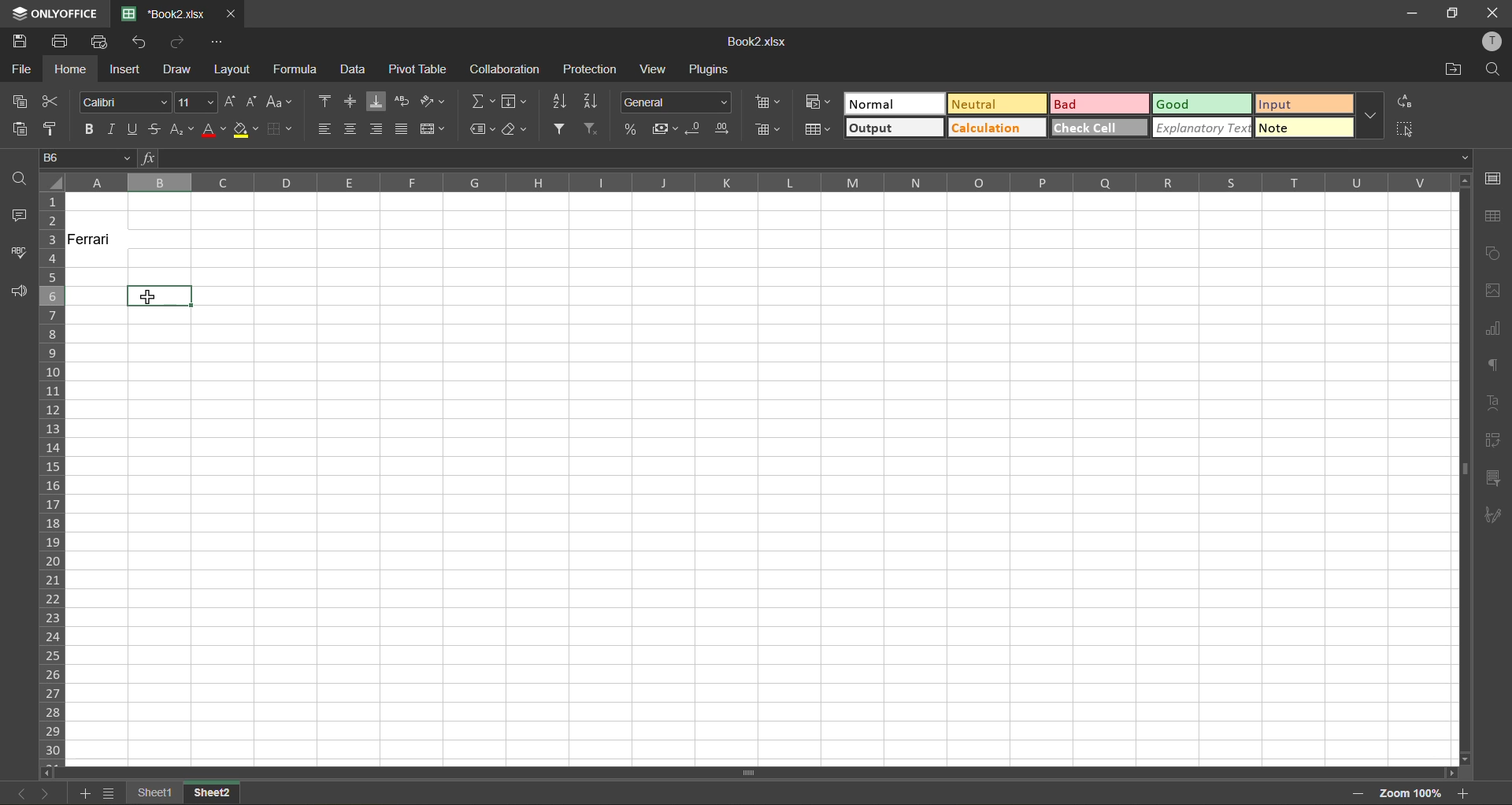 The image size is (1512, 805). I want to click on horizontal scrollbar, so click(748, 774).